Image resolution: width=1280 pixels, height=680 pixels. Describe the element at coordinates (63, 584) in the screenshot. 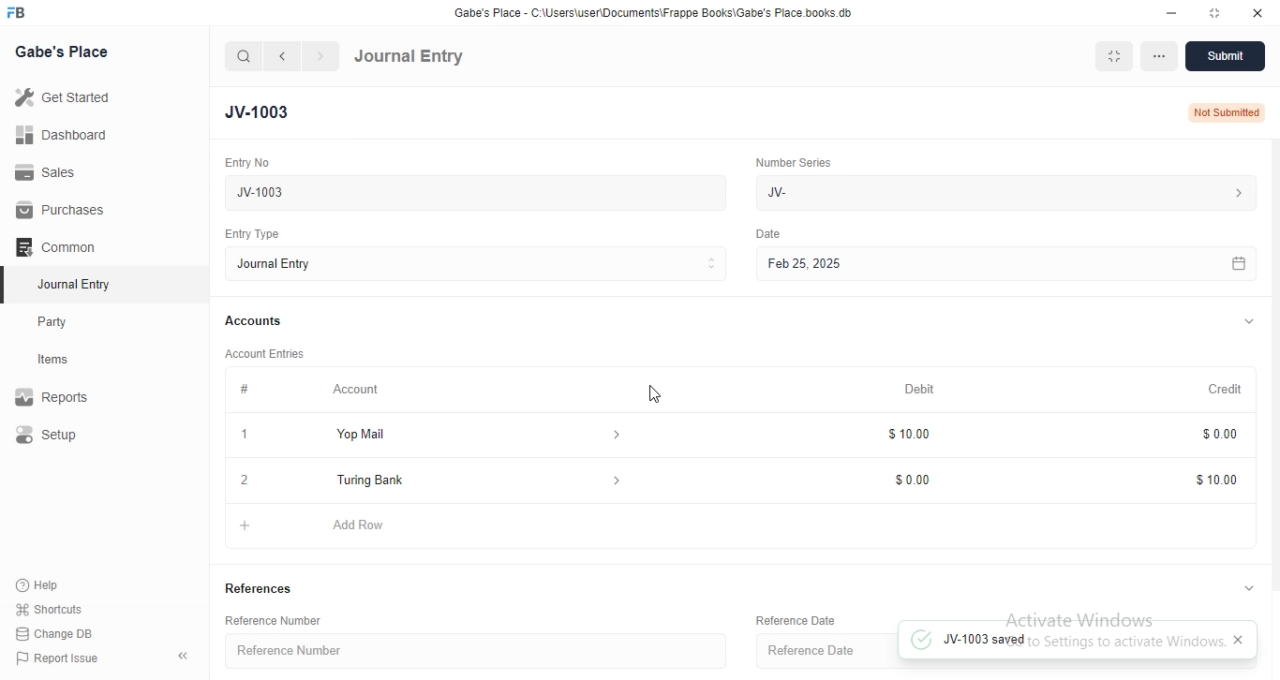

I see `Help` at that location.